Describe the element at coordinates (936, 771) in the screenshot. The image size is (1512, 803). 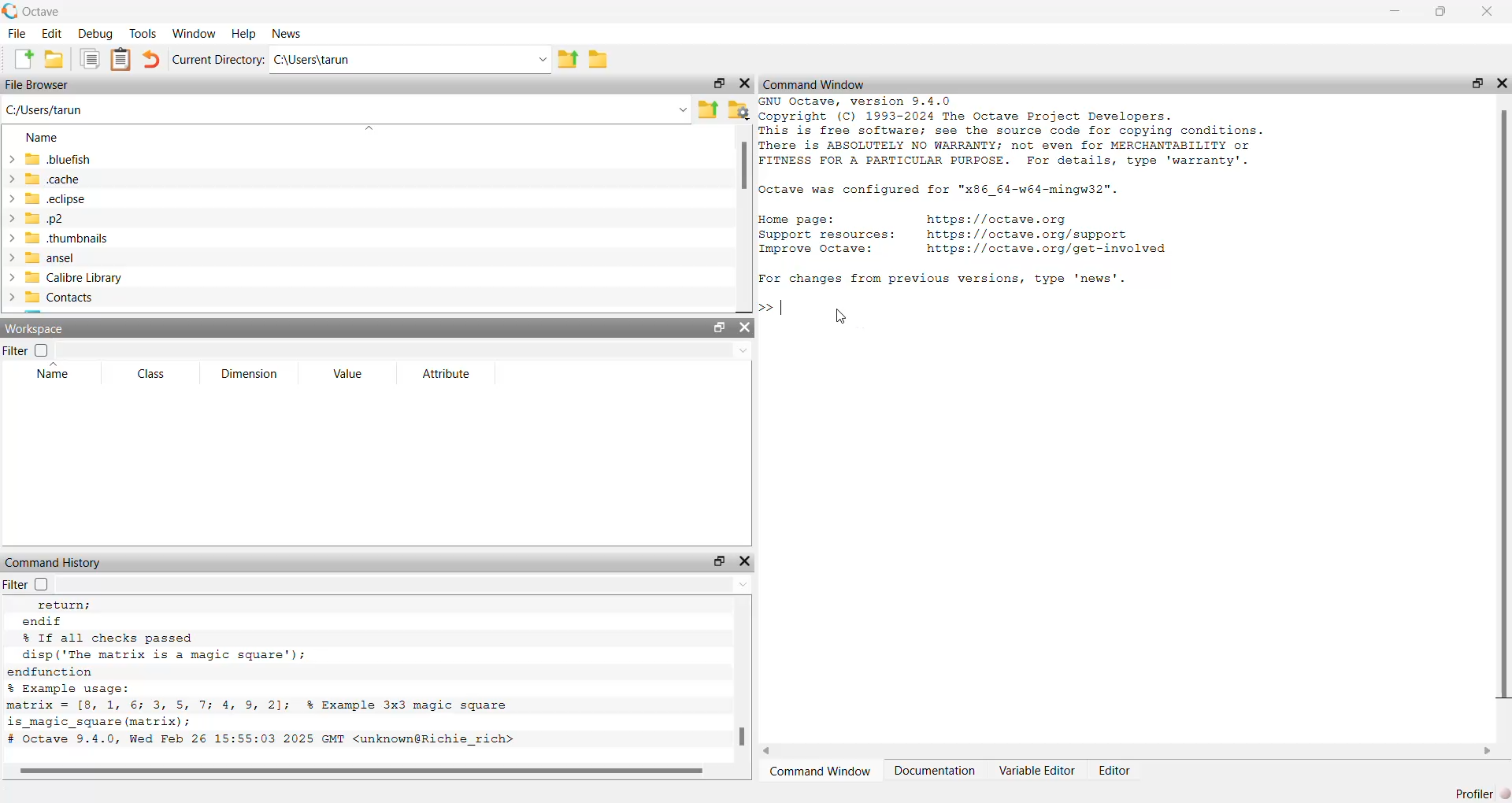
I see `Documentation` at that location.